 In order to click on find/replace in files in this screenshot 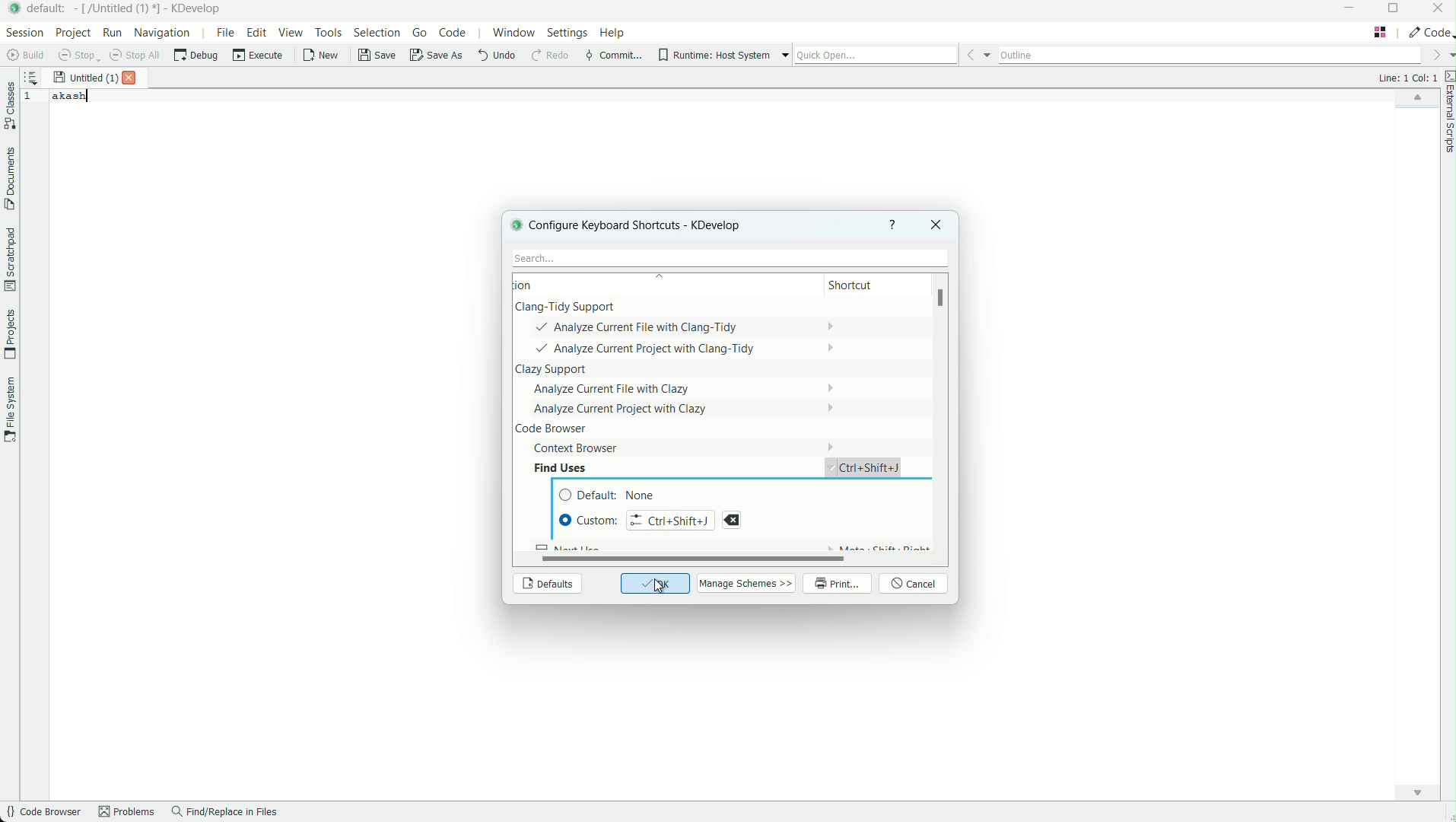, I will do `click(225, 813)`.